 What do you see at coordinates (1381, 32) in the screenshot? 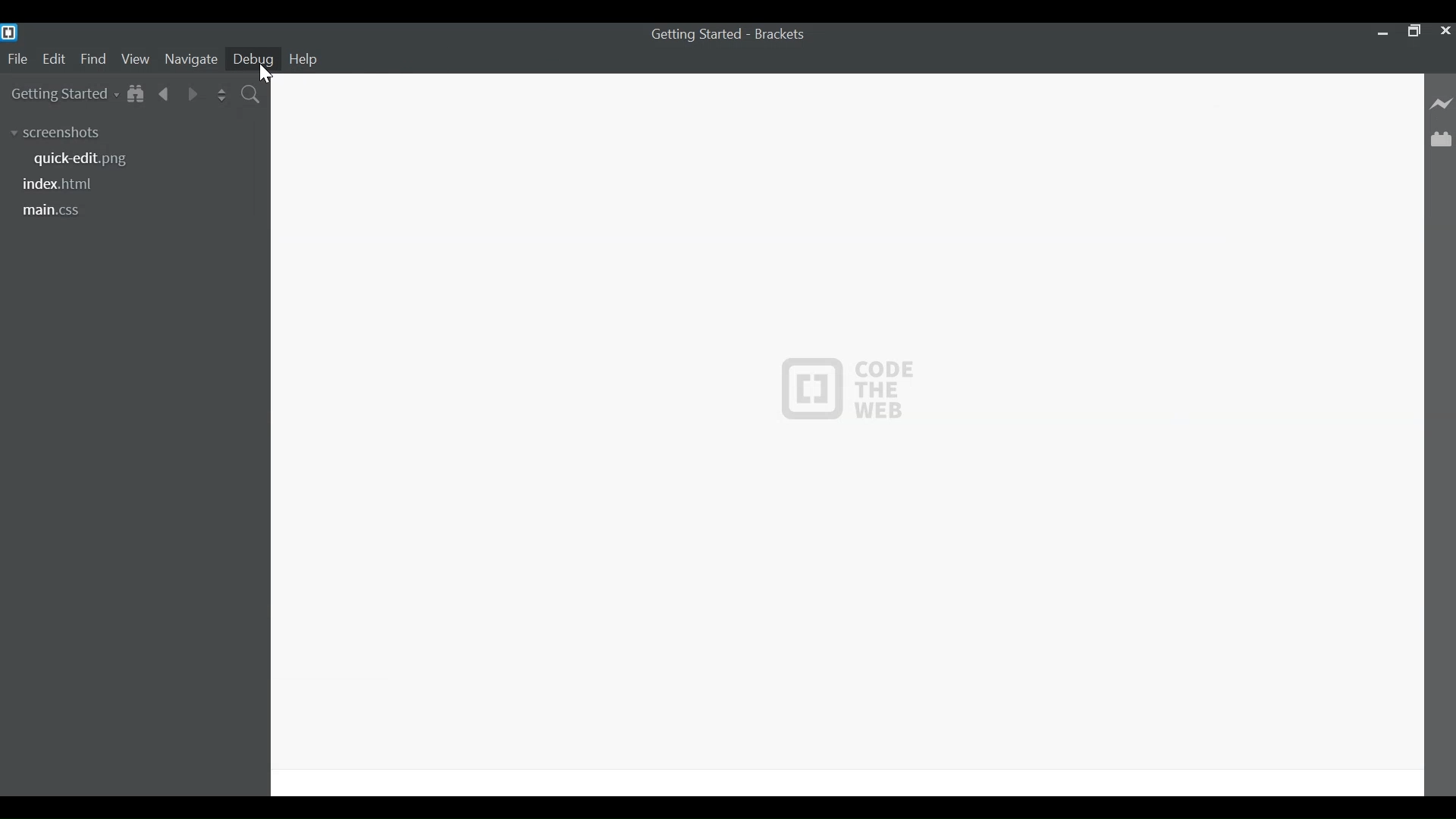
I see `minimize` at bounding box center [1381, 32].